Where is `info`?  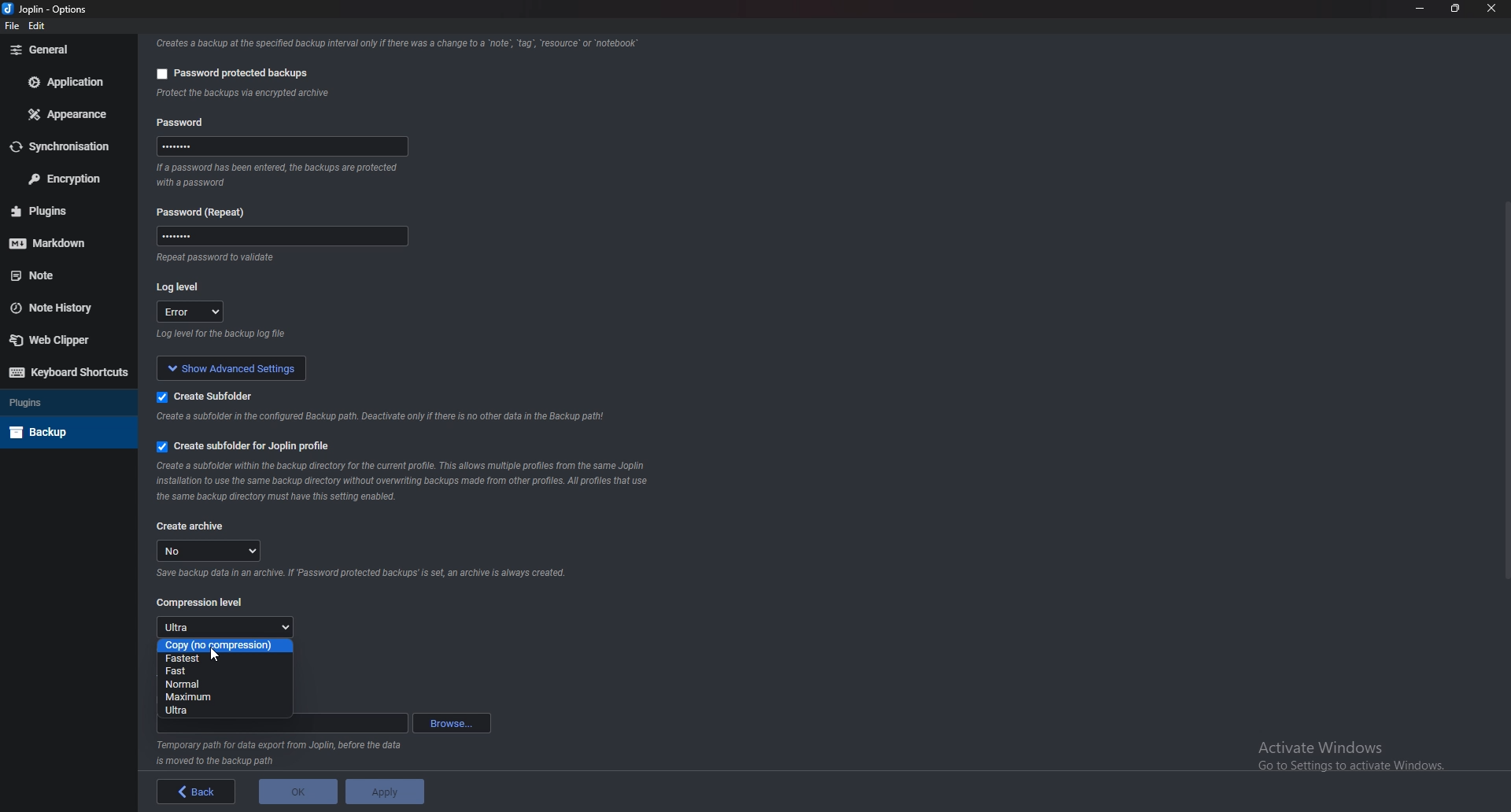 info is located at coordinates (281, 175).